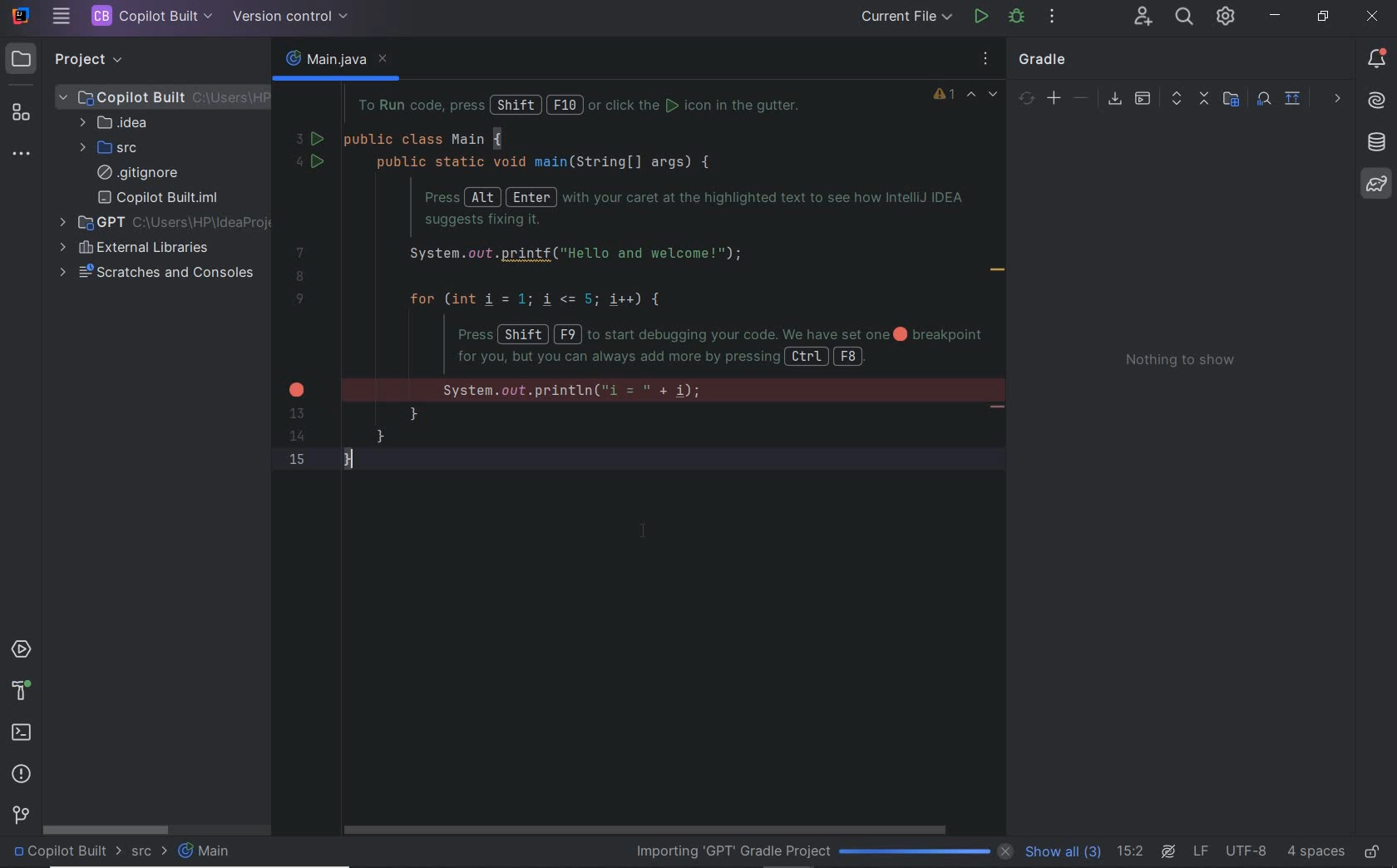  Describe the element at coordinates (1375, 145) in the screenshot. I see `database` at that location.